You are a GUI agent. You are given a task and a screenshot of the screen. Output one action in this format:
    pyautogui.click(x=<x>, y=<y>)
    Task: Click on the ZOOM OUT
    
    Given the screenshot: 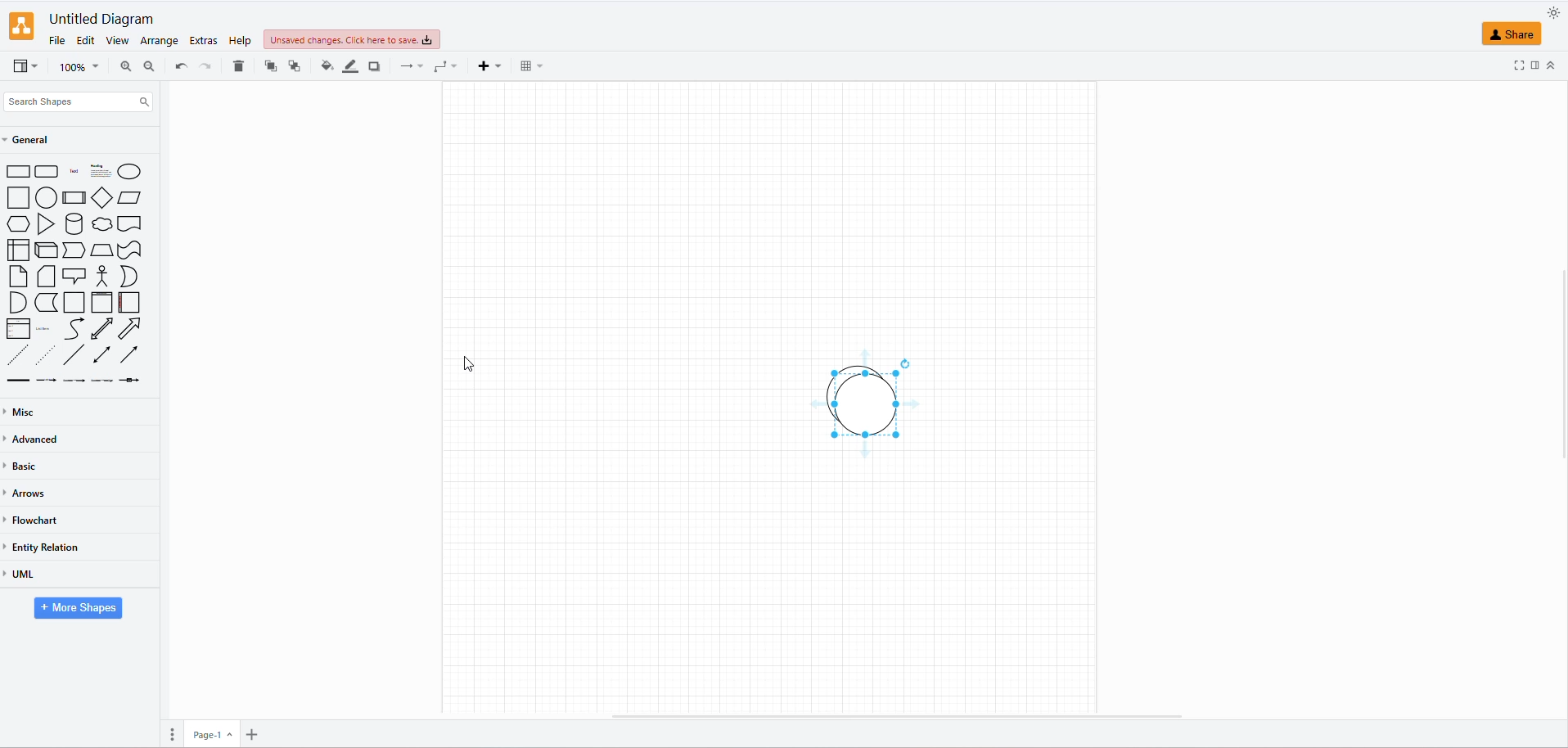 What is the action you would take?
    pyautogui.click(x=148, y=65)
    